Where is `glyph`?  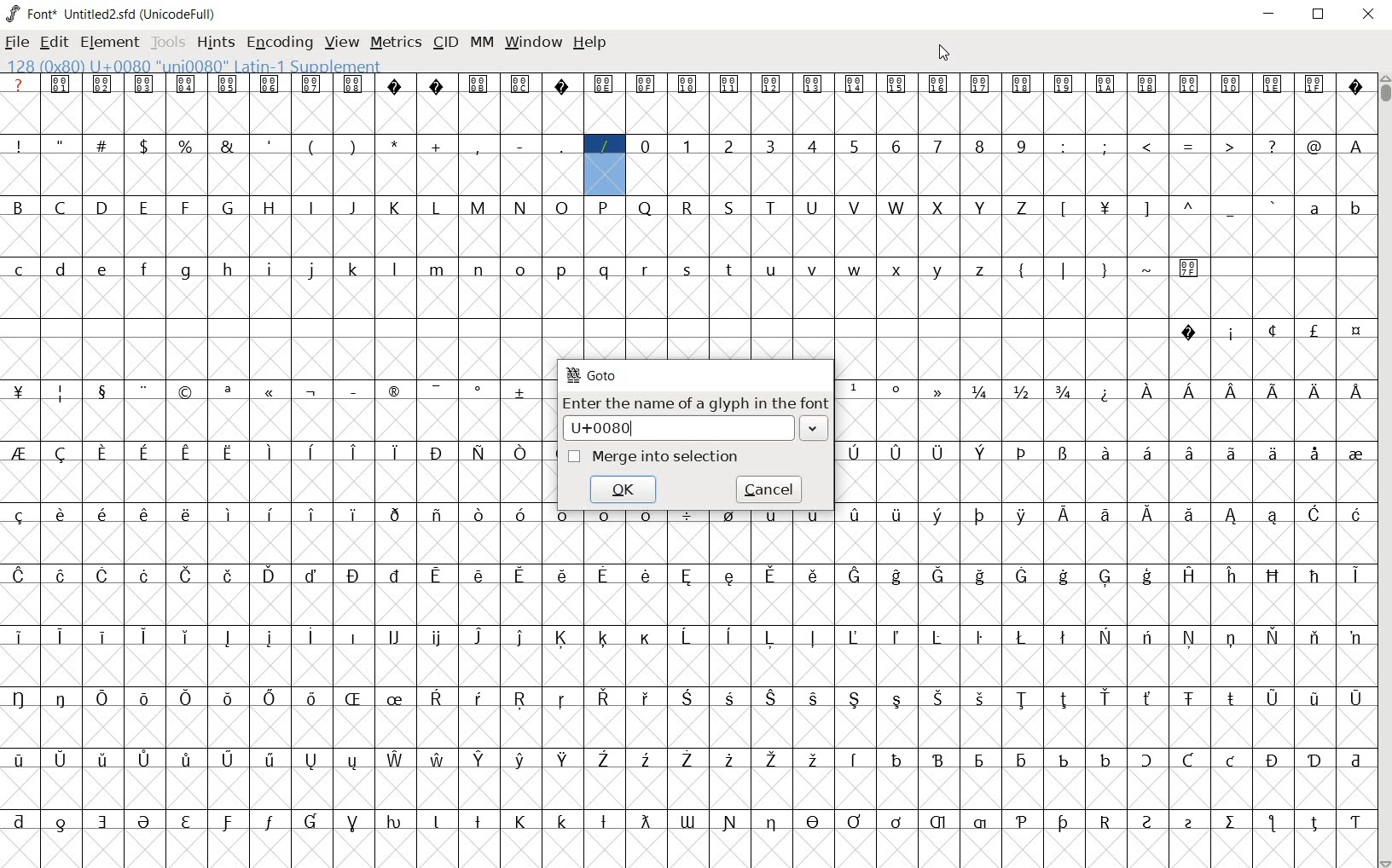
glyph is located at coordinates (896, 84).